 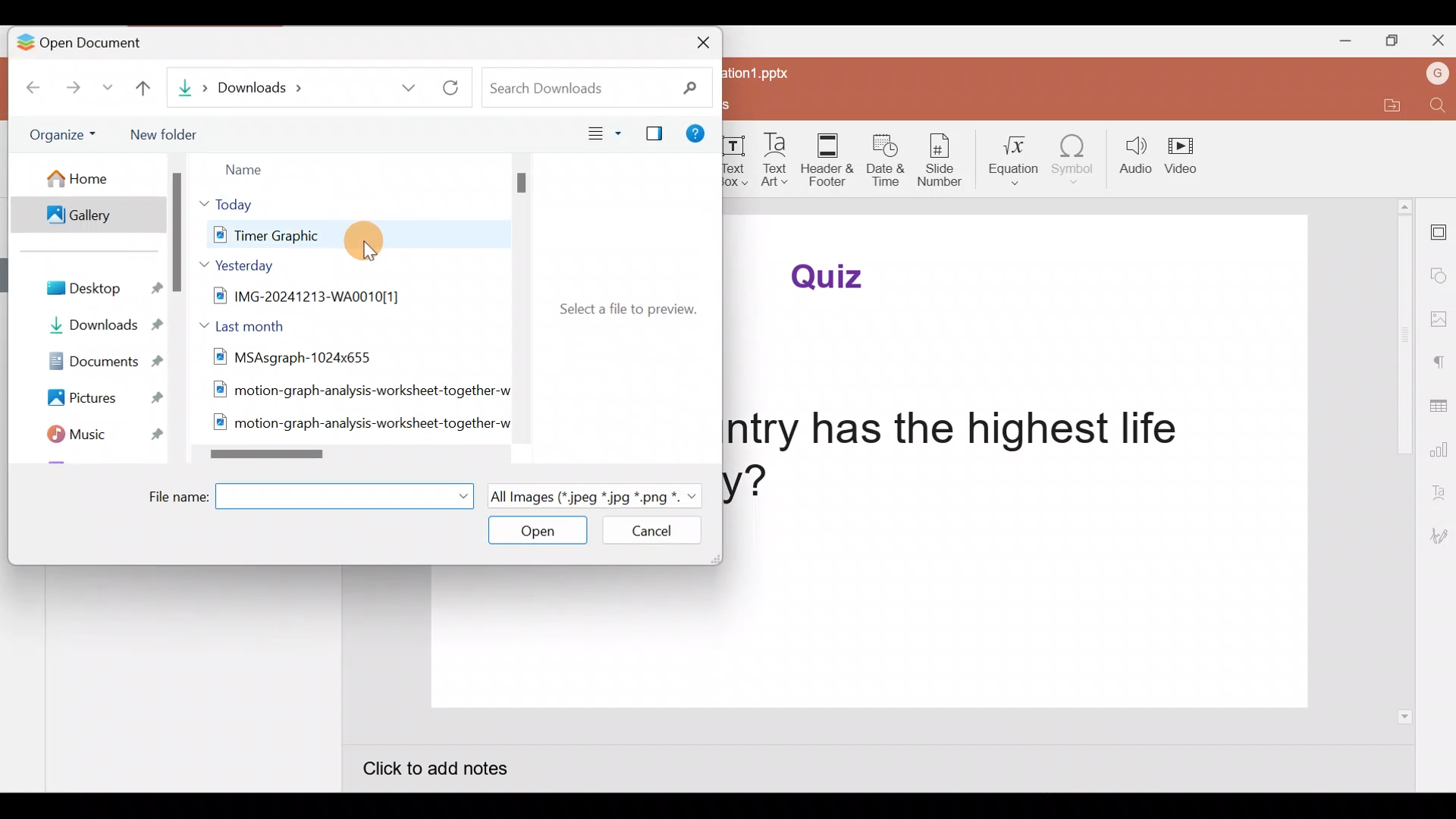 What do you see at coordinates (168, 134) in the screenshot?
I see `New folder` at bounding box center [168, 134].